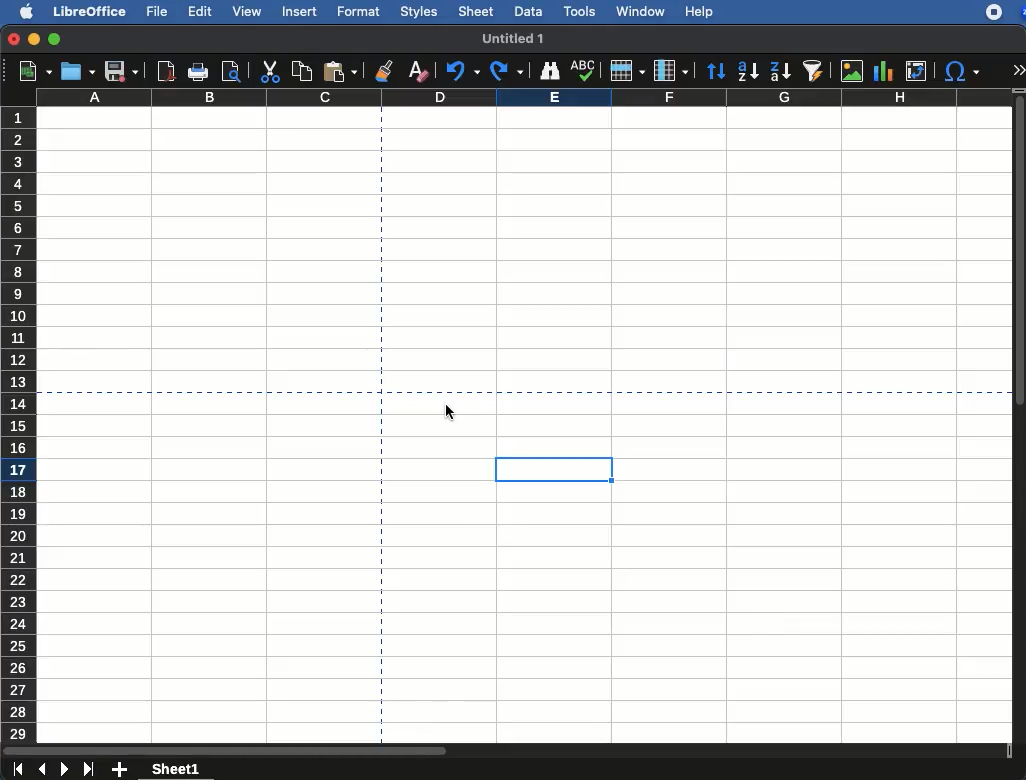 This screenshot has height=780, width=1026. What do you see at coordinates (700, 12) in the screenshot?
I see `help` at bounding box center [700, 12].